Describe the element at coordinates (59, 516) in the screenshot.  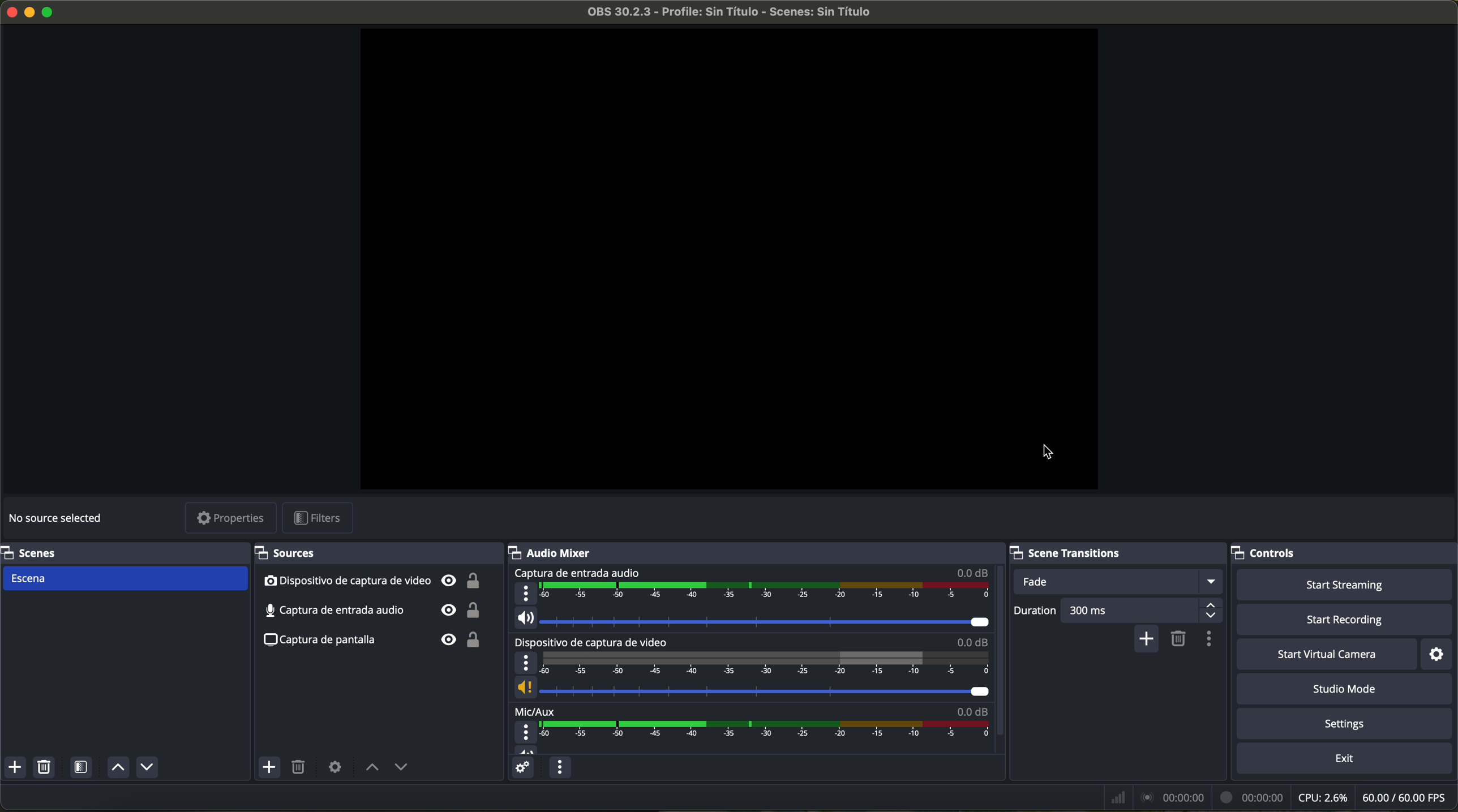
I see `no source selected` at that location.